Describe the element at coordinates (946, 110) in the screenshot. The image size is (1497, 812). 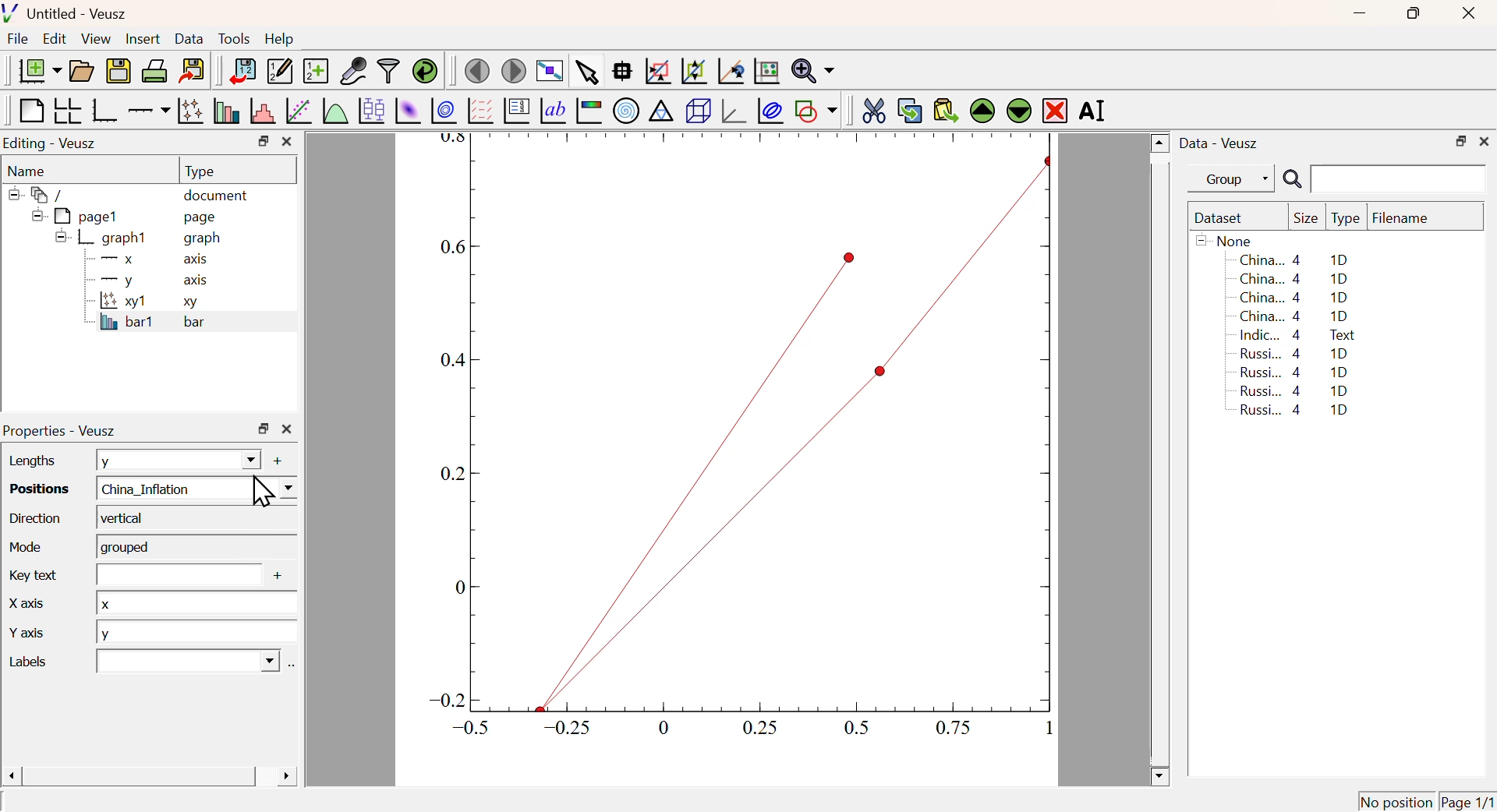
I see `Paste from Clipboard` at that location.